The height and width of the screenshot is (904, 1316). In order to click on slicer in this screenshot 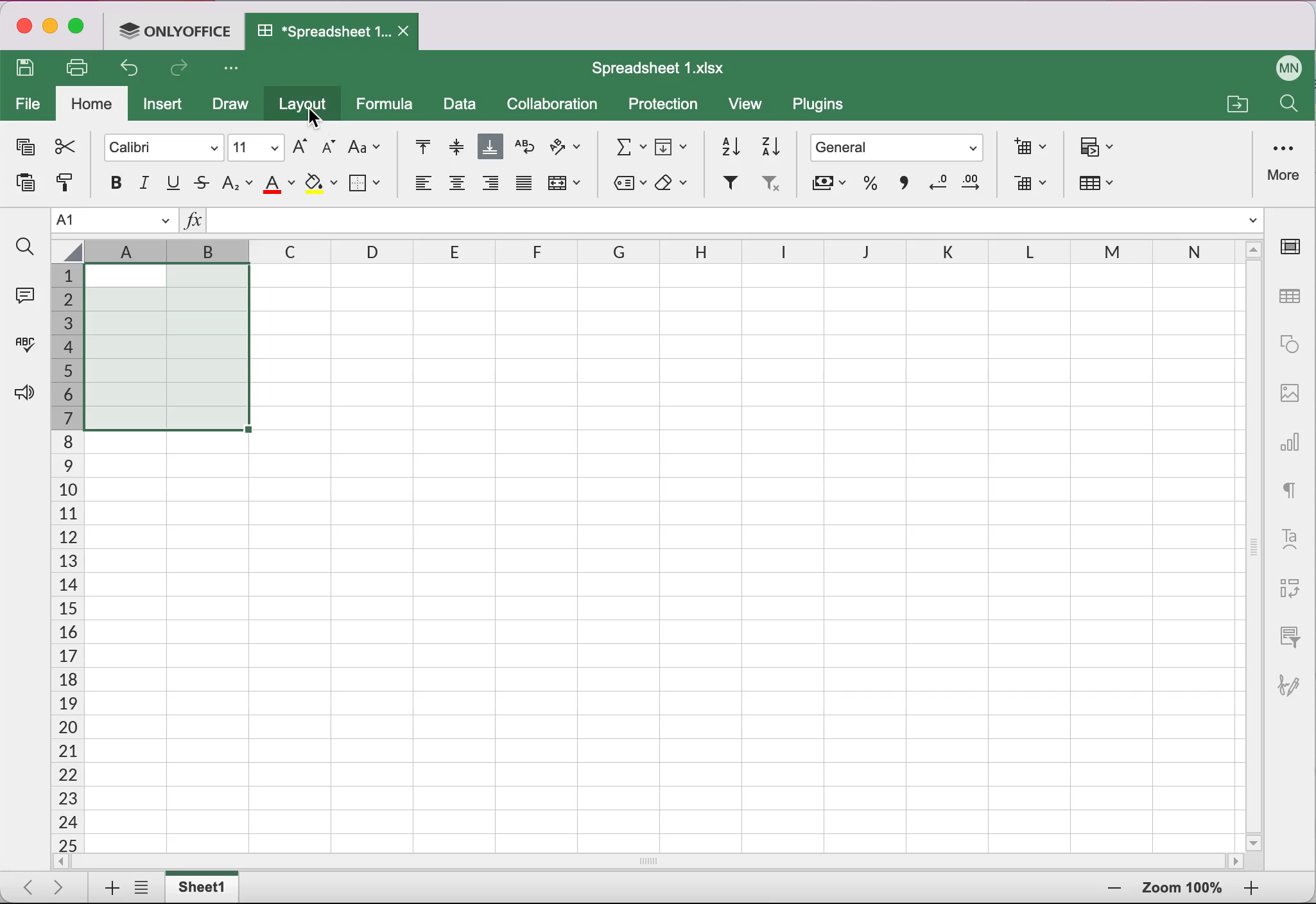, I will do `click(1287, 636)`.